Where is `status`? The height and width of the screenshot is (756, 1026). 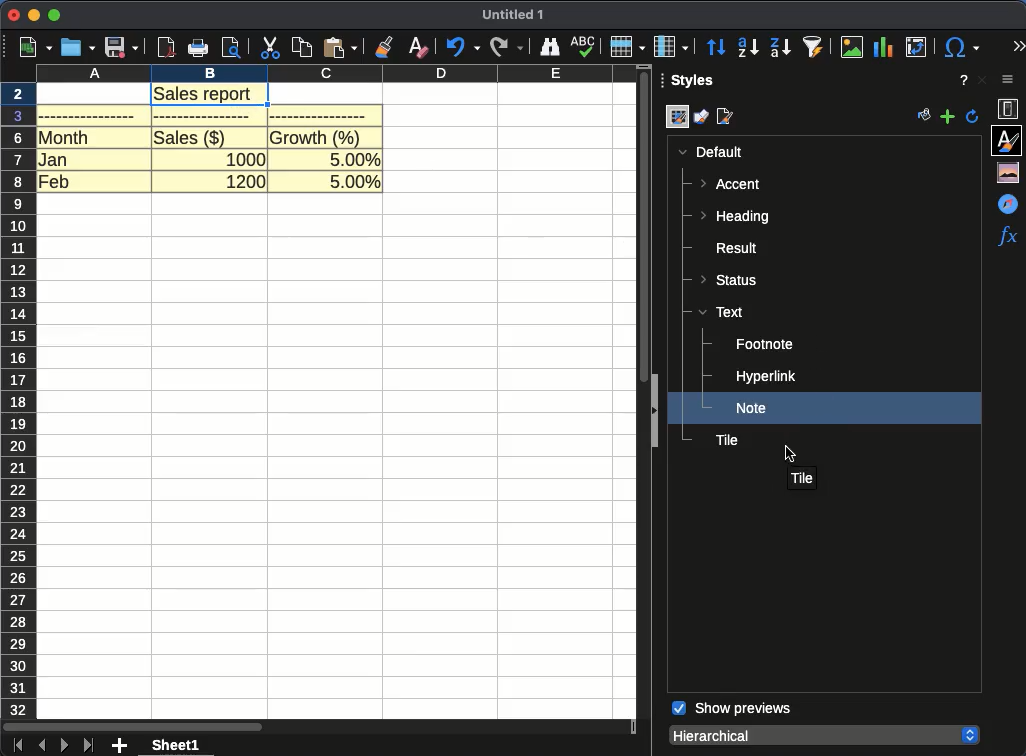
status is located at coordinates (732, 278).